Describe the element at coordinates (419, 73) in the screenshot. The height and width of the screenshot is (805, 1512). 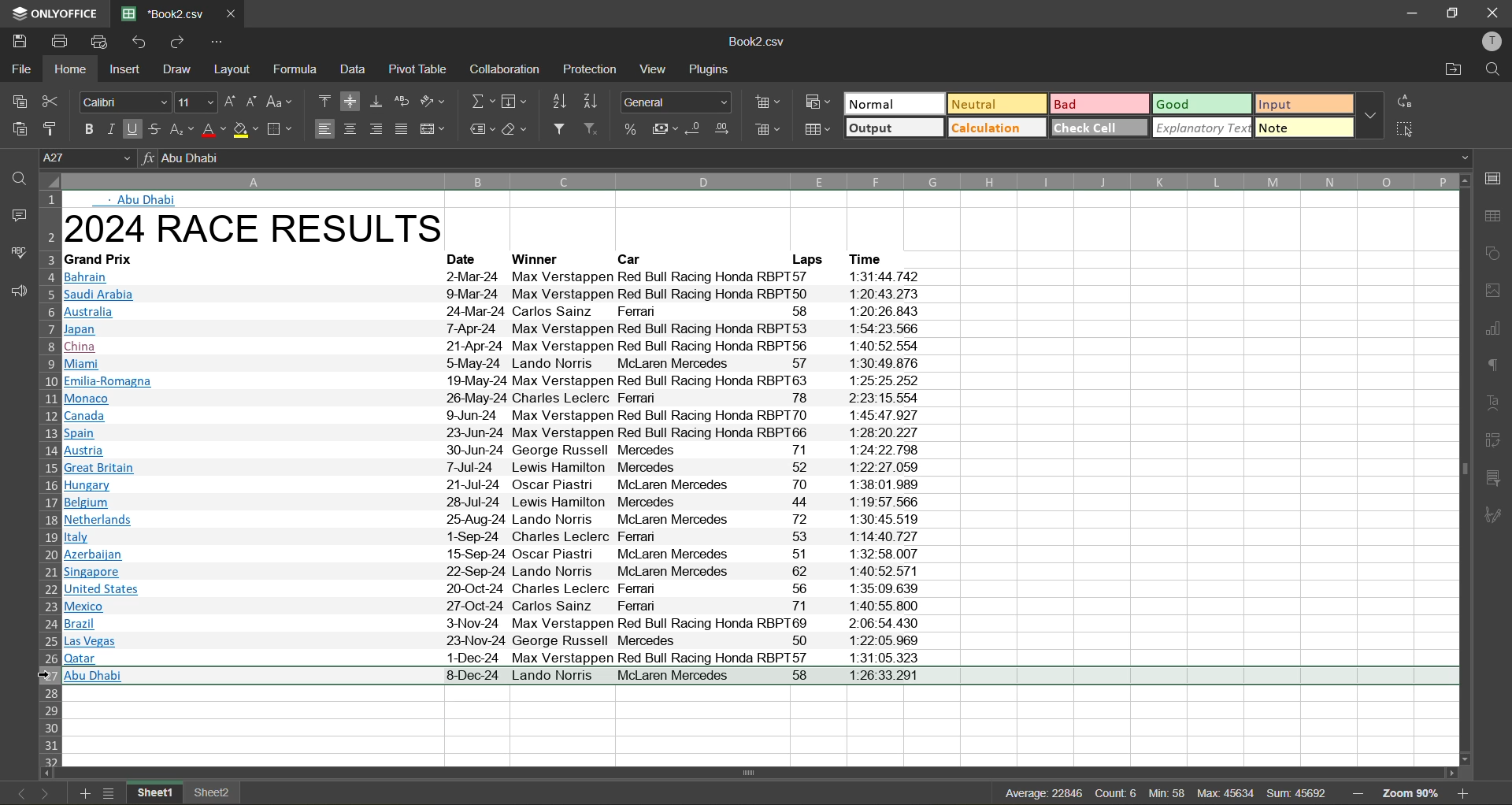
I see `pivot table` at that location.